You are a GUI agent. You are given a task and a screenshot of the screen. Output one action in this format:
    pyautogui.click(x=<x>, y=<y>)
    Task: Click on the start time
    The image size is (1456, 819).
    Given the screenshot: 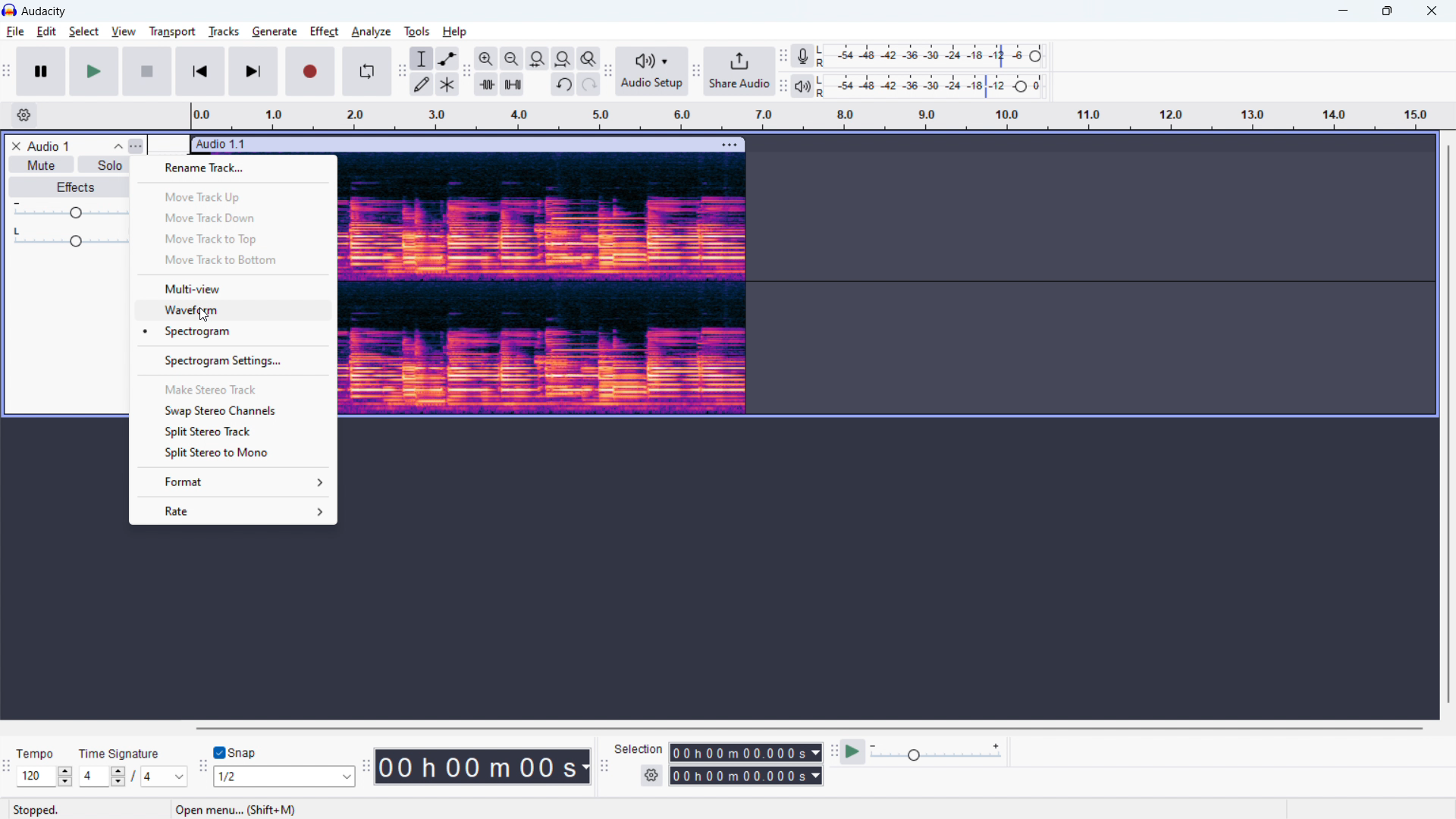 What is the action you would take?
    pyautogui.click(x=746, y=752)
    